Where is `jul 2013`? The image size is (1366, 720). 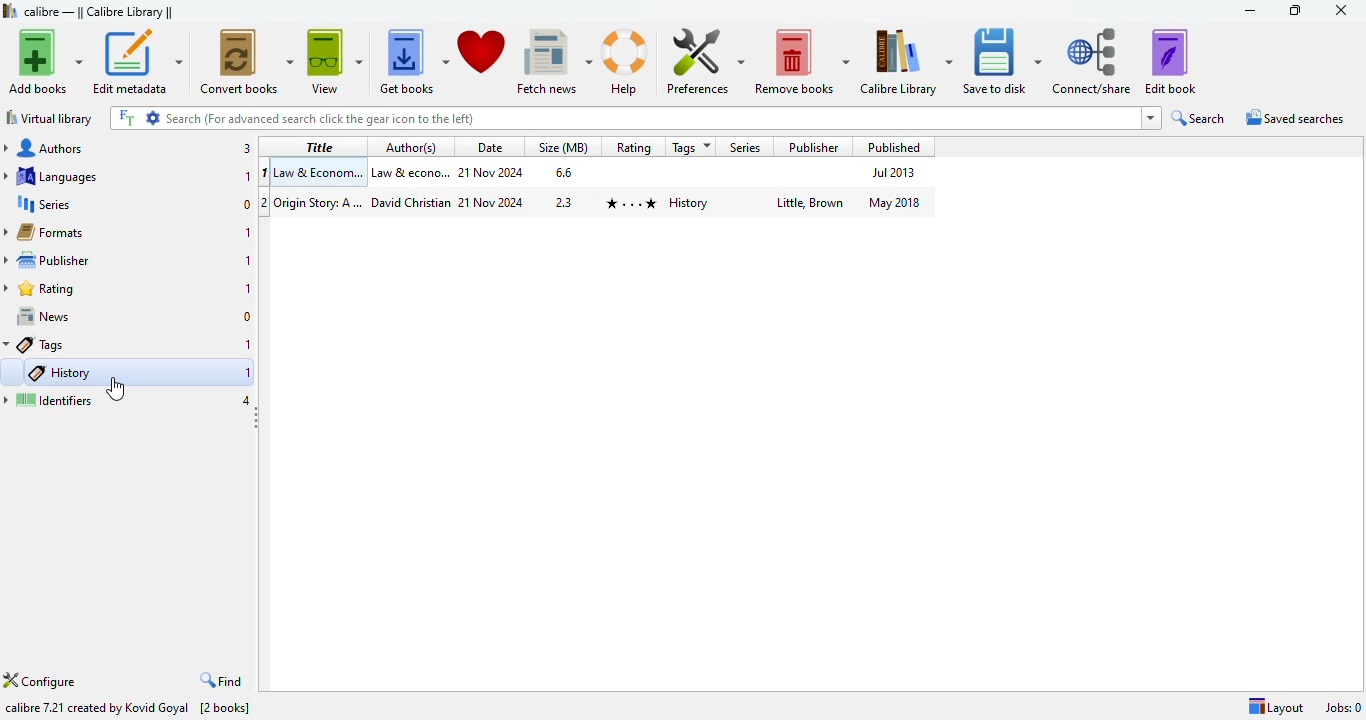
jul 2013 is located at coordinates (894, 172).